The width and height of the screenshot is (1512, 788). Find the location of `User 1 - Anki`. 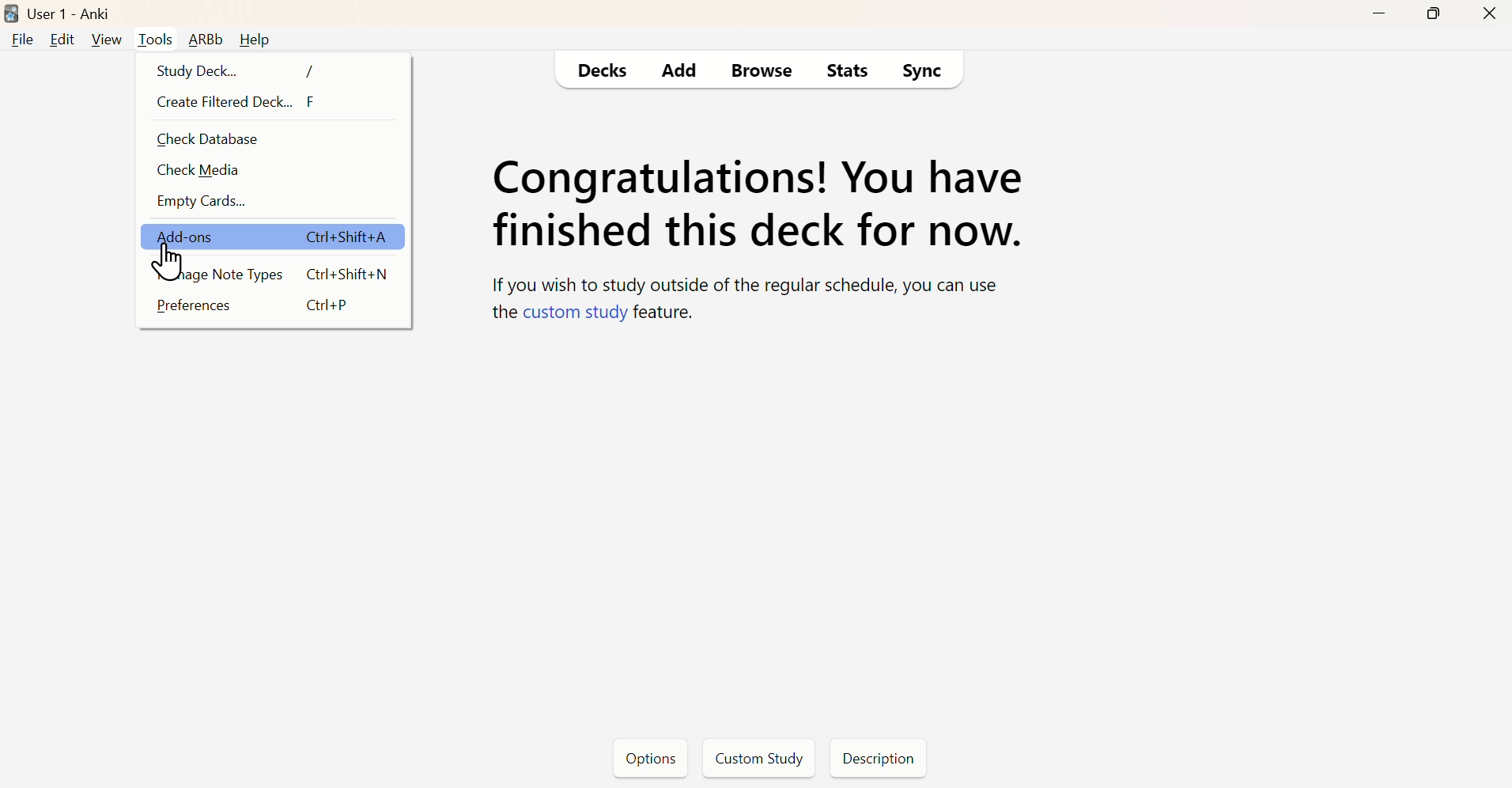

User 1 - Anki is located at coordinates (70, 14).